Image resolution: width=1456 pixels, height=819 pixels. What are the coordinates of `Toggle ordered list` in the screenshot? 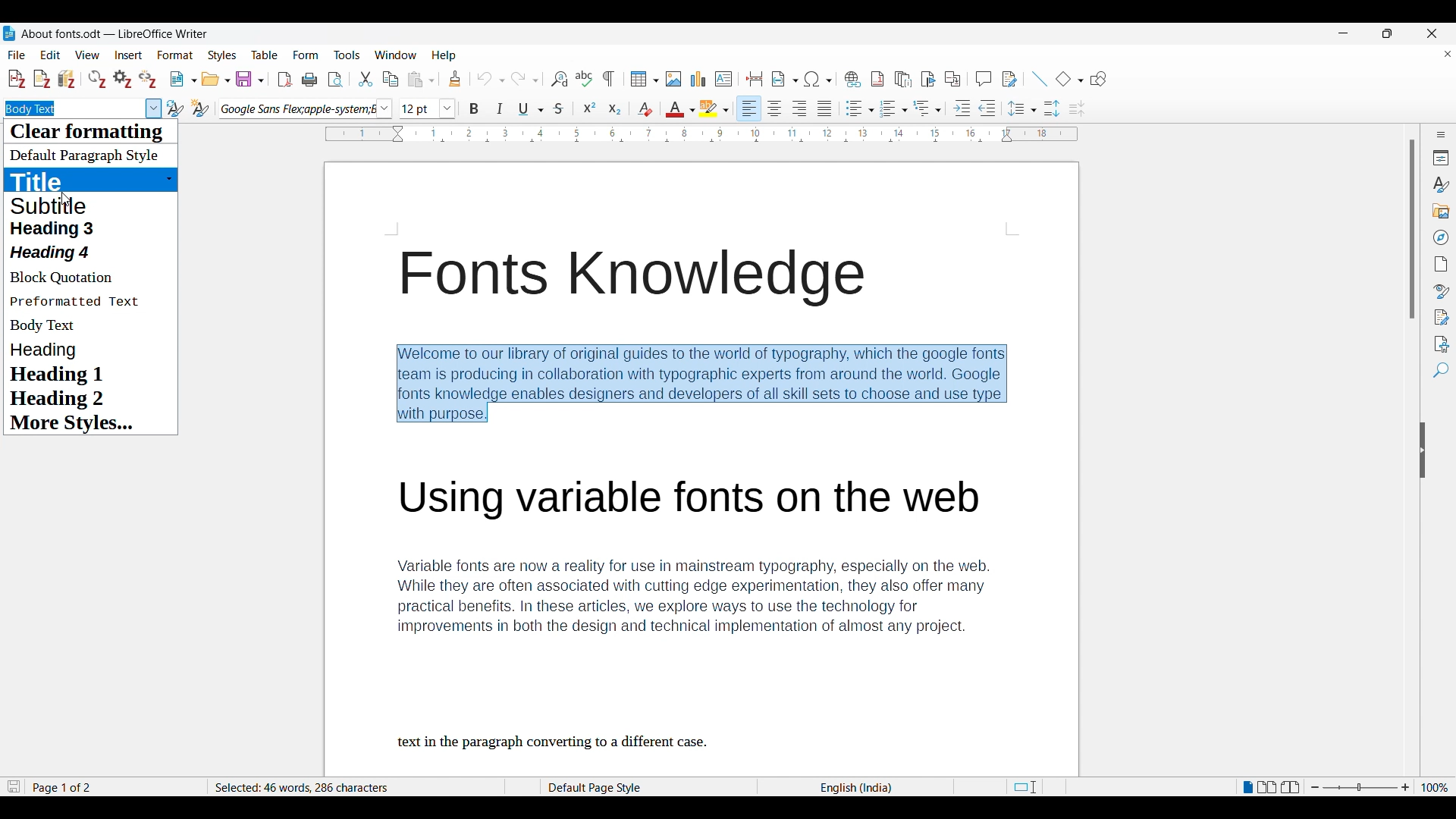 It's located at (894, 108).